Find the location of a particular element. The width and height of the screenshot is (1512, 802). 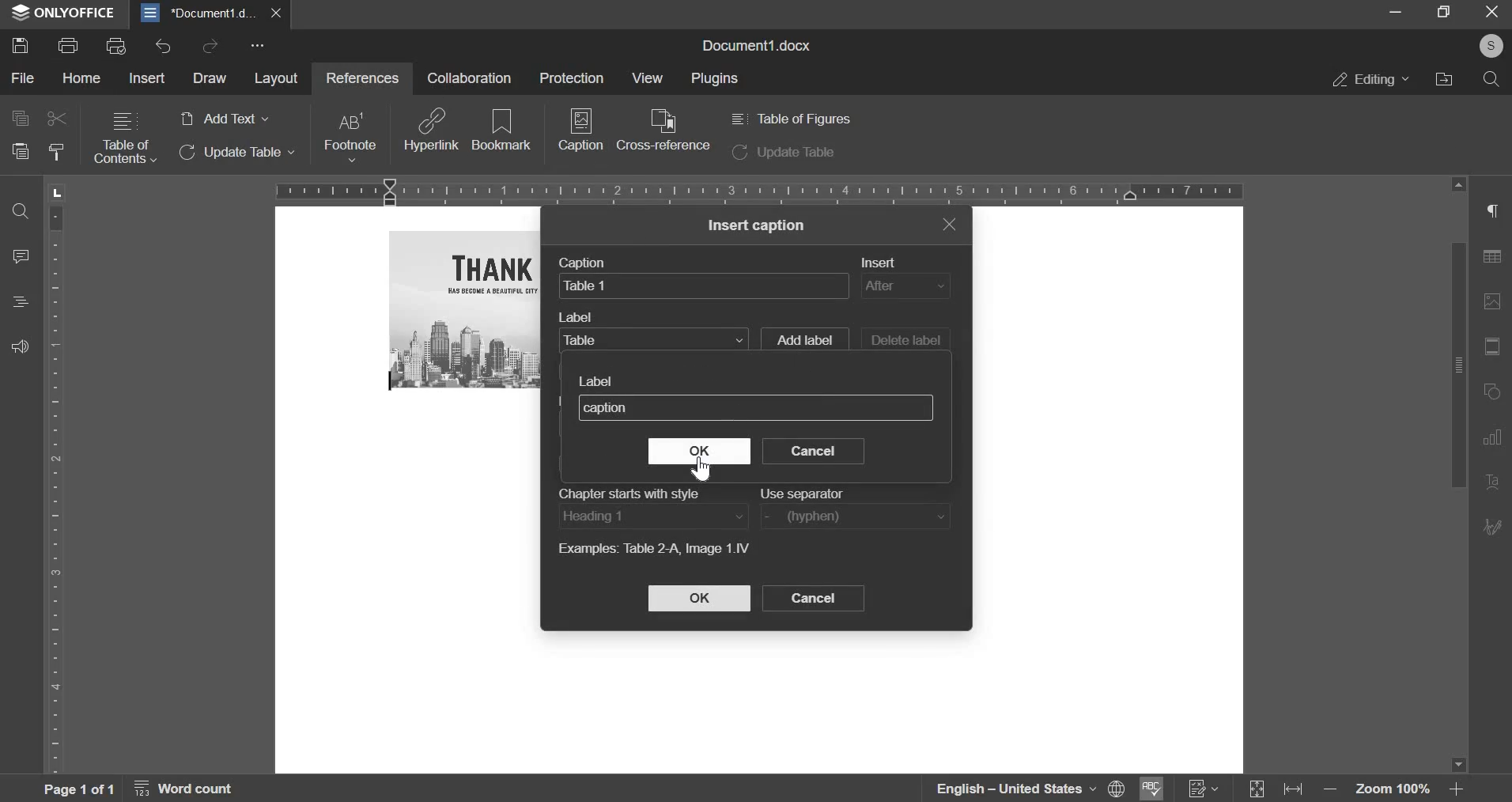

ok is located at coordinates (701, 450).